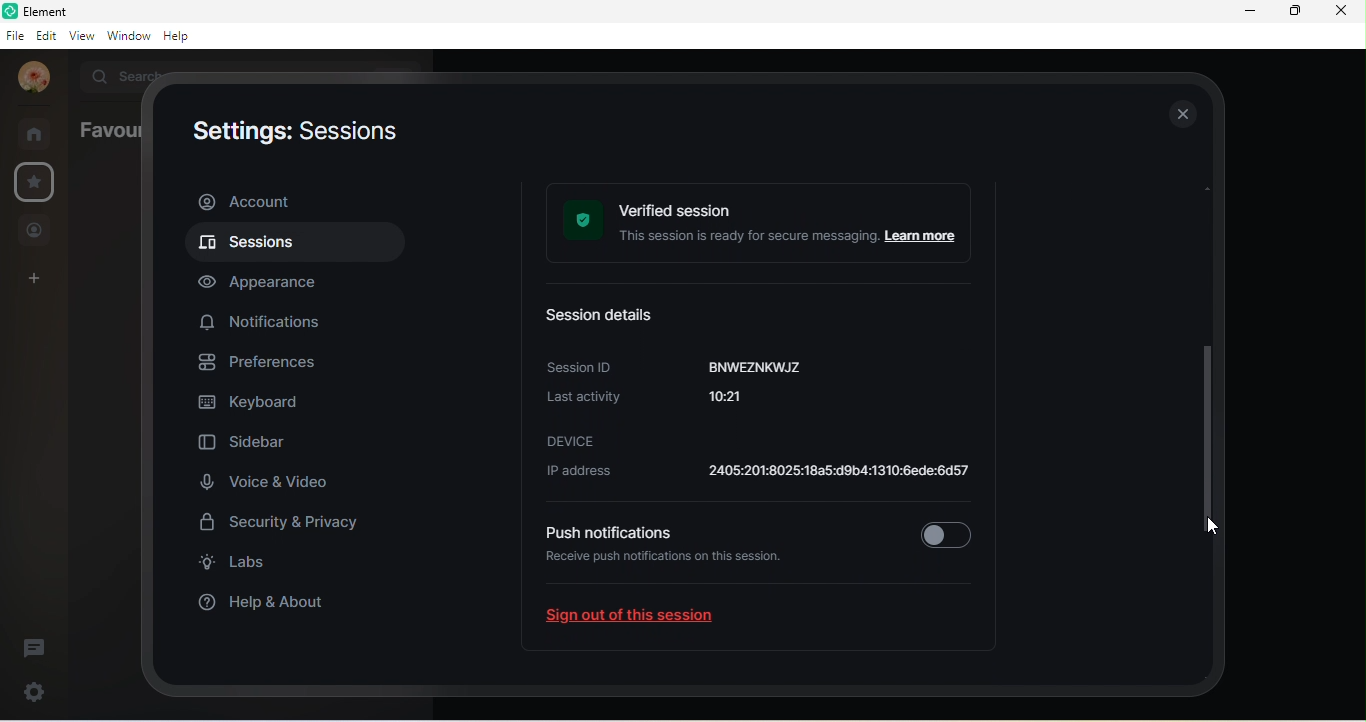 This screenshot has height=722, width=1366. I want to click on session id: BNWEZNKWJZ, so click(679, 366).